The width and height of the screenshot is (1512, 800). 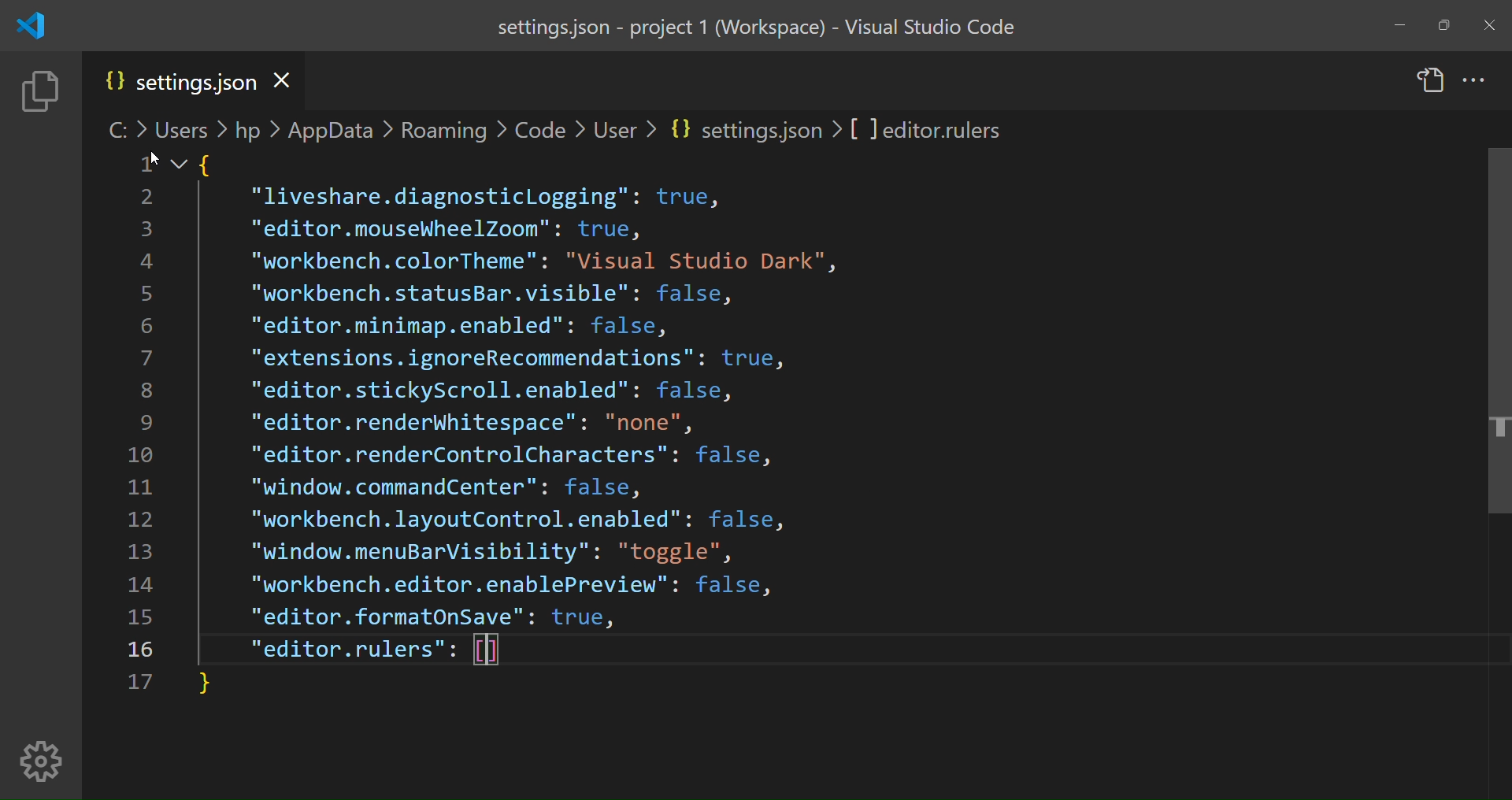 What do you see at coordinates (41, 761) in the screenshot?
I see `manage` at bounding box center [41, 761].